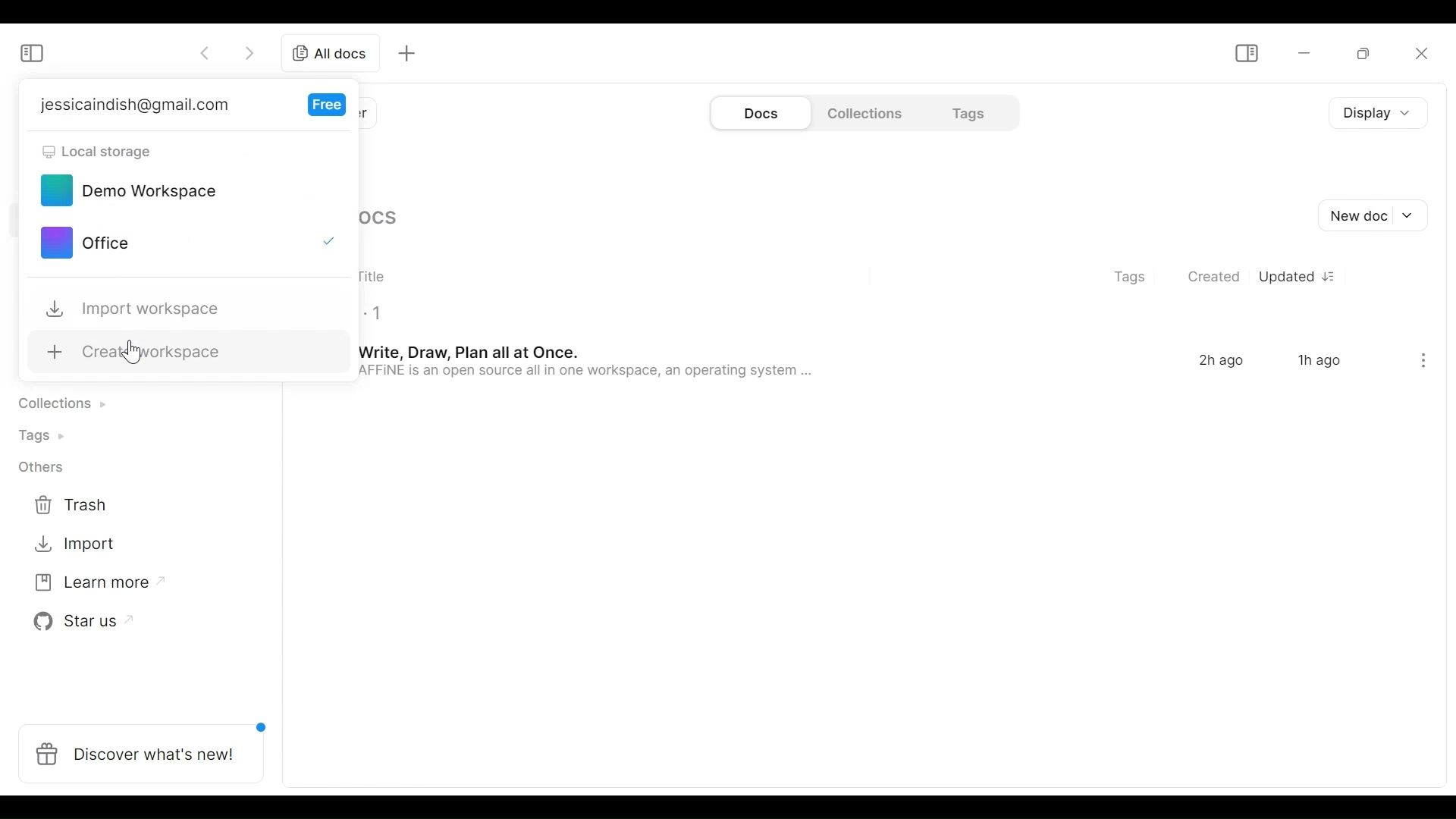 This screenshot has width=1456, height=819. Describe the element at coordinates (1363, 52) in the screenshot. I see `Restore` at that location.